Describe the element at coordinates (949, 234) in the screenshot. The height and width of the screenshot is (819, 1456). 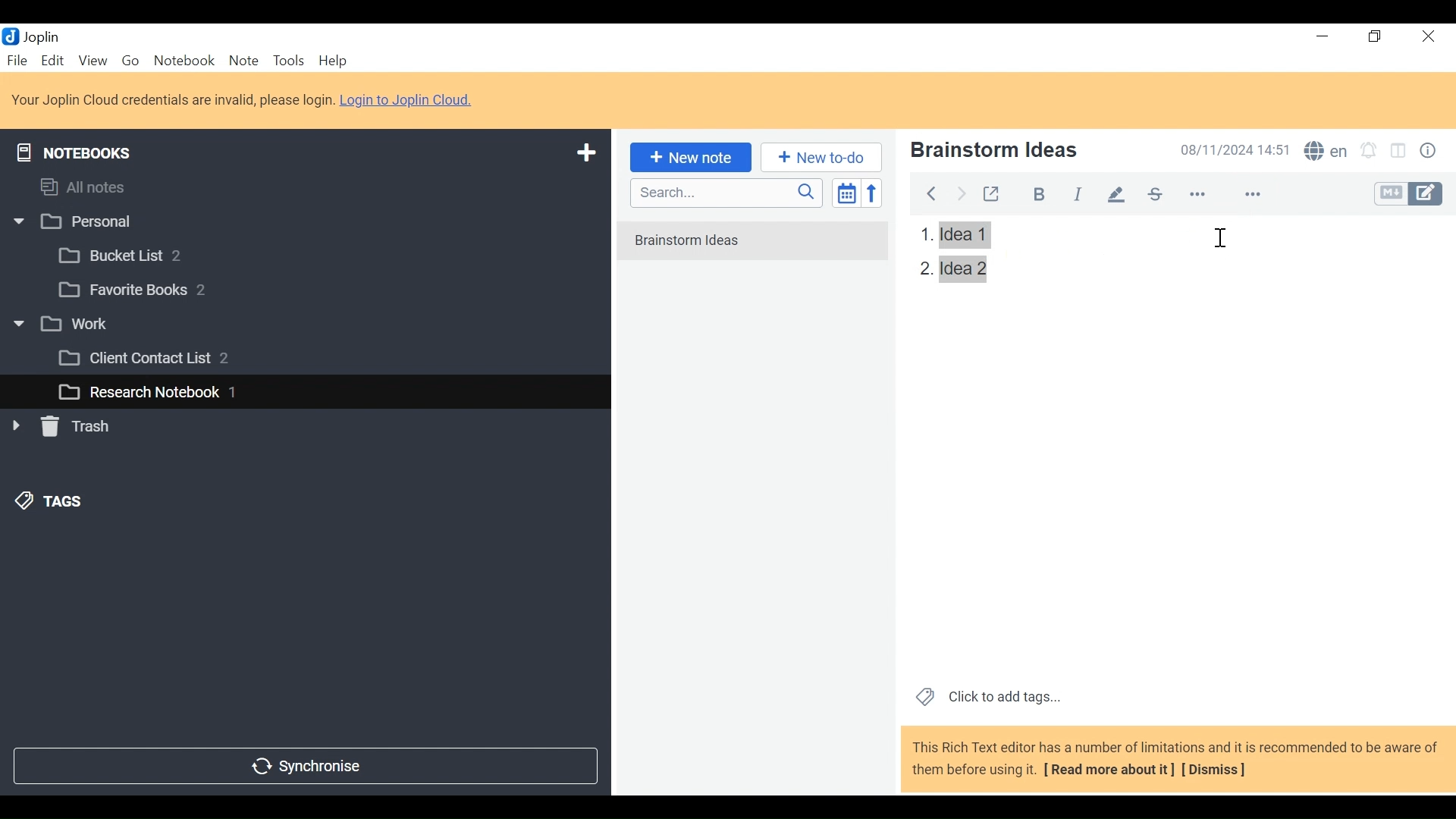
I see `Note View` at that location.